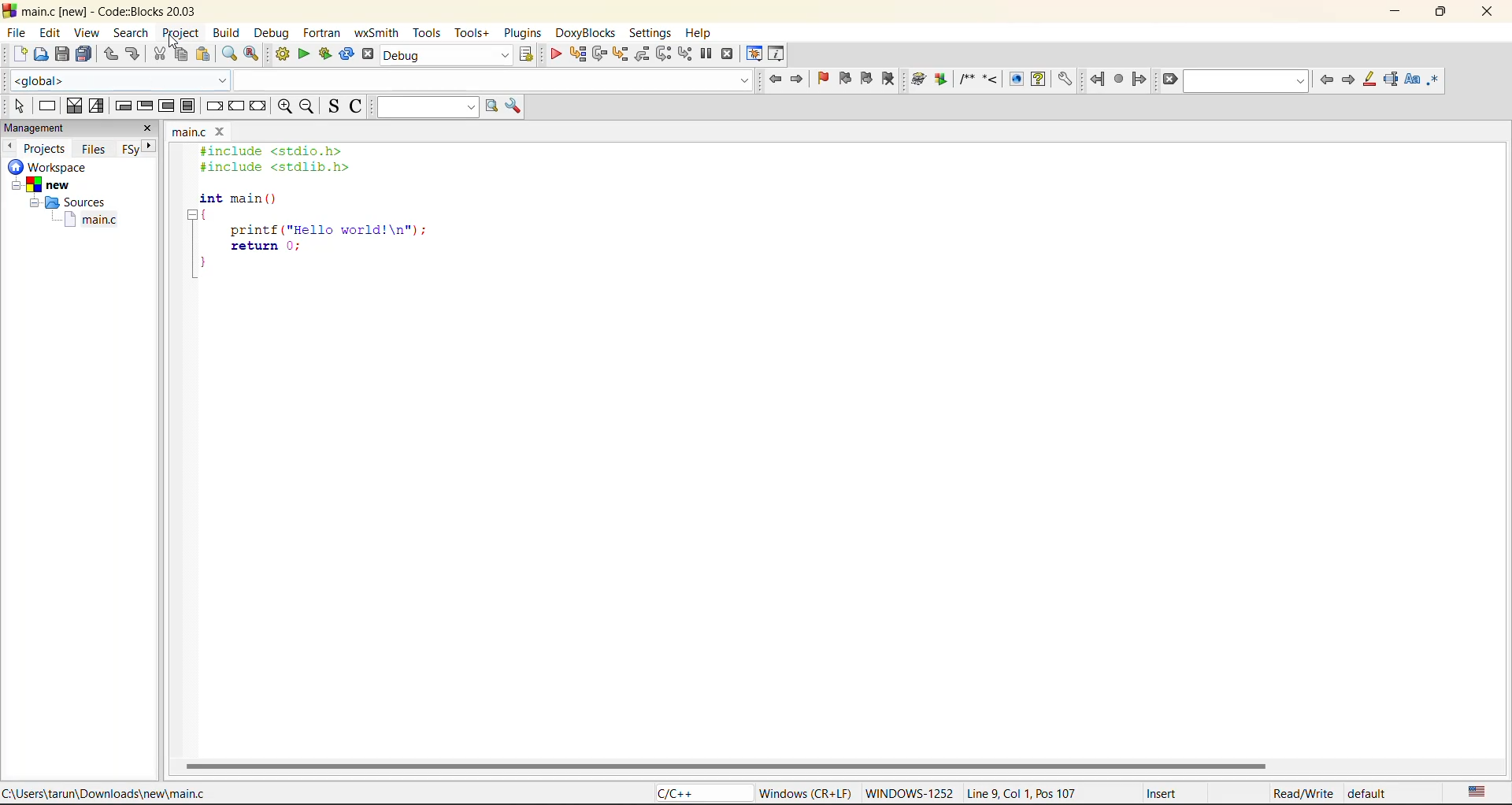 This screenshot has width=1512, height=805. I want to click on close, so click(220, 131).